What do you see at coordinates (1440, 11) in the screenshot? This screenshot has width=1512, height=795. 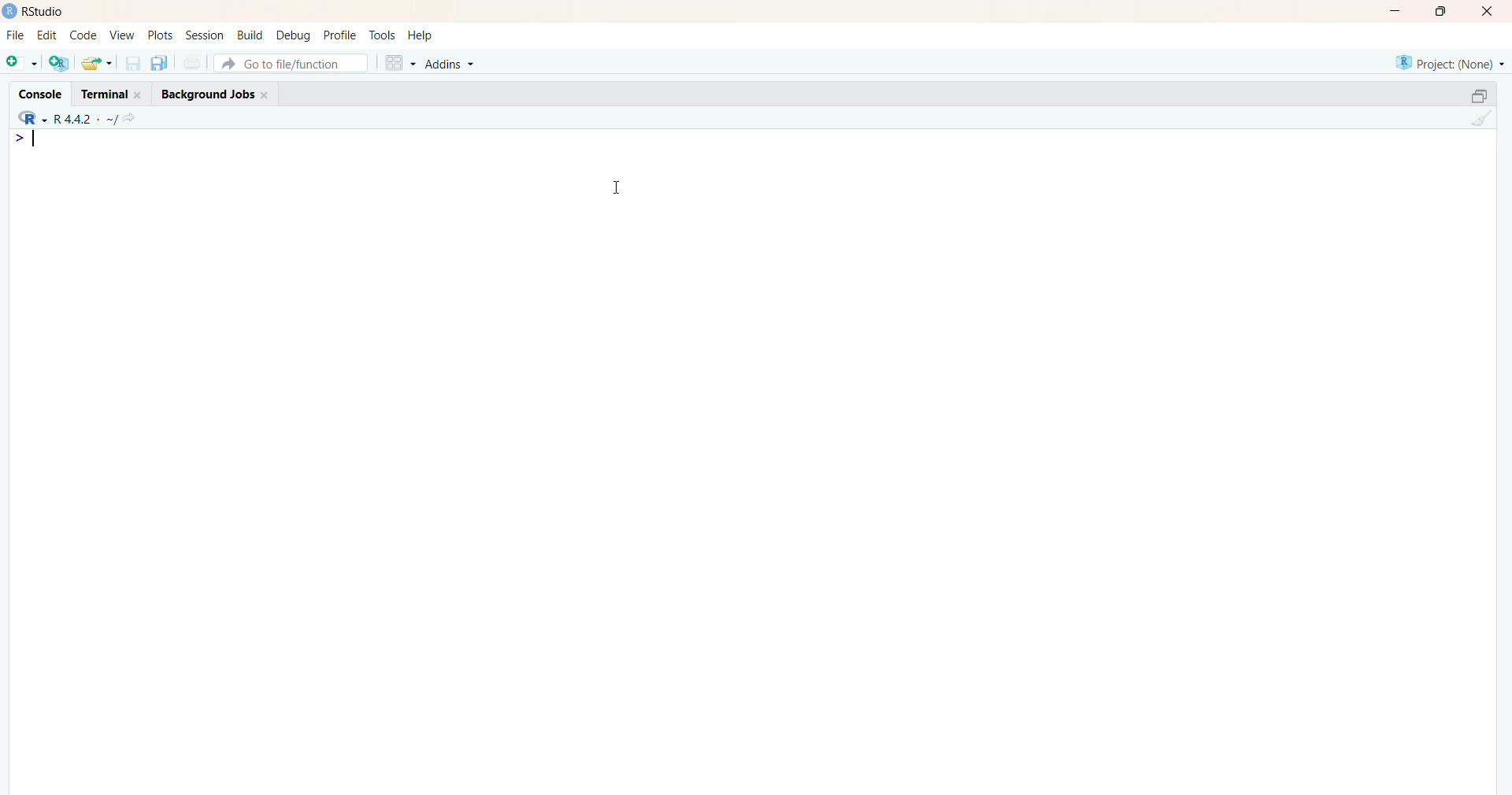 I see `maximize` at bounding box center [1440, 11].